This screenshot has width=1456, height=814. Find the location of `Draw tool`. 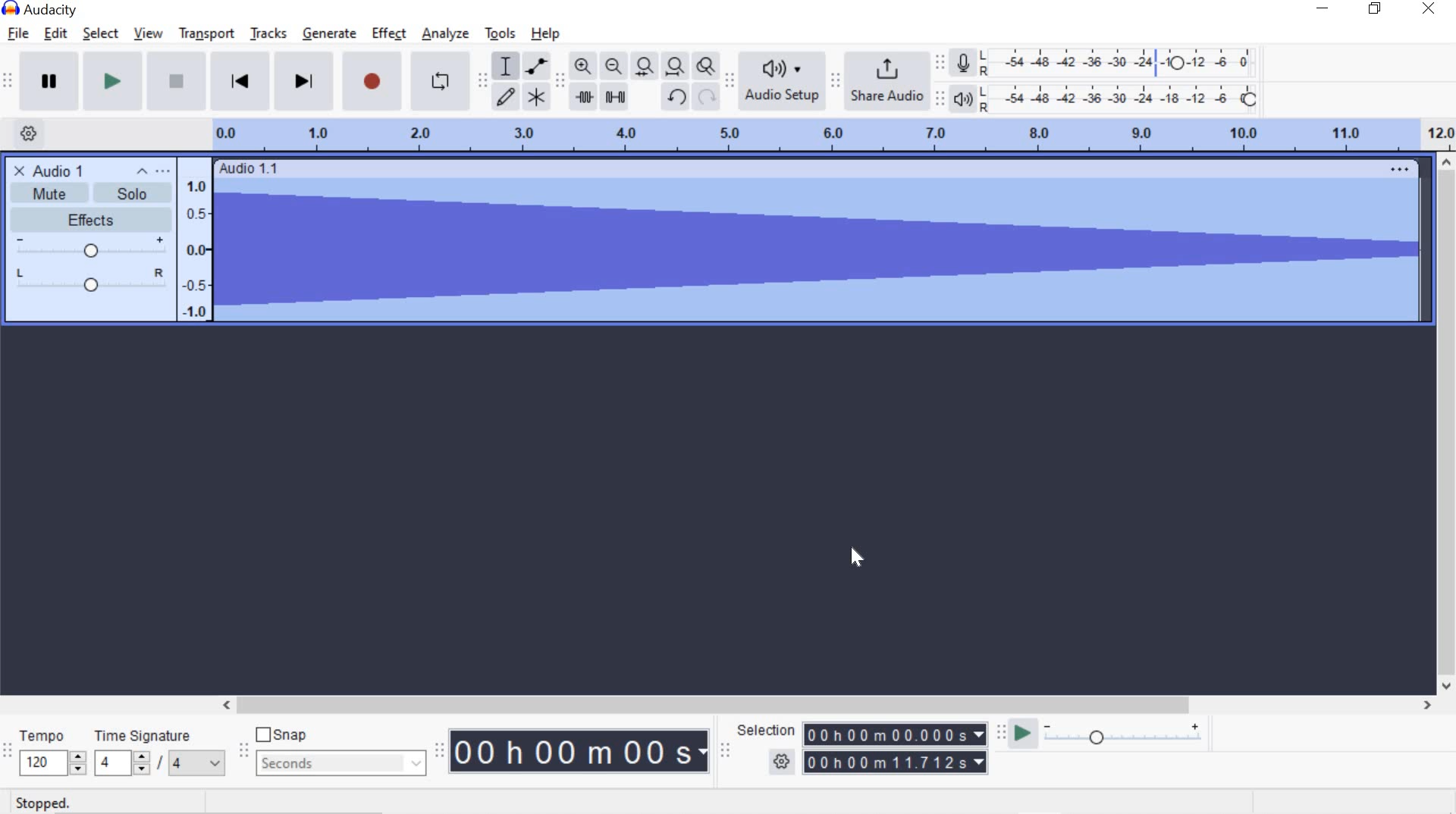

Draw tool is located at coordinates (507, 98).